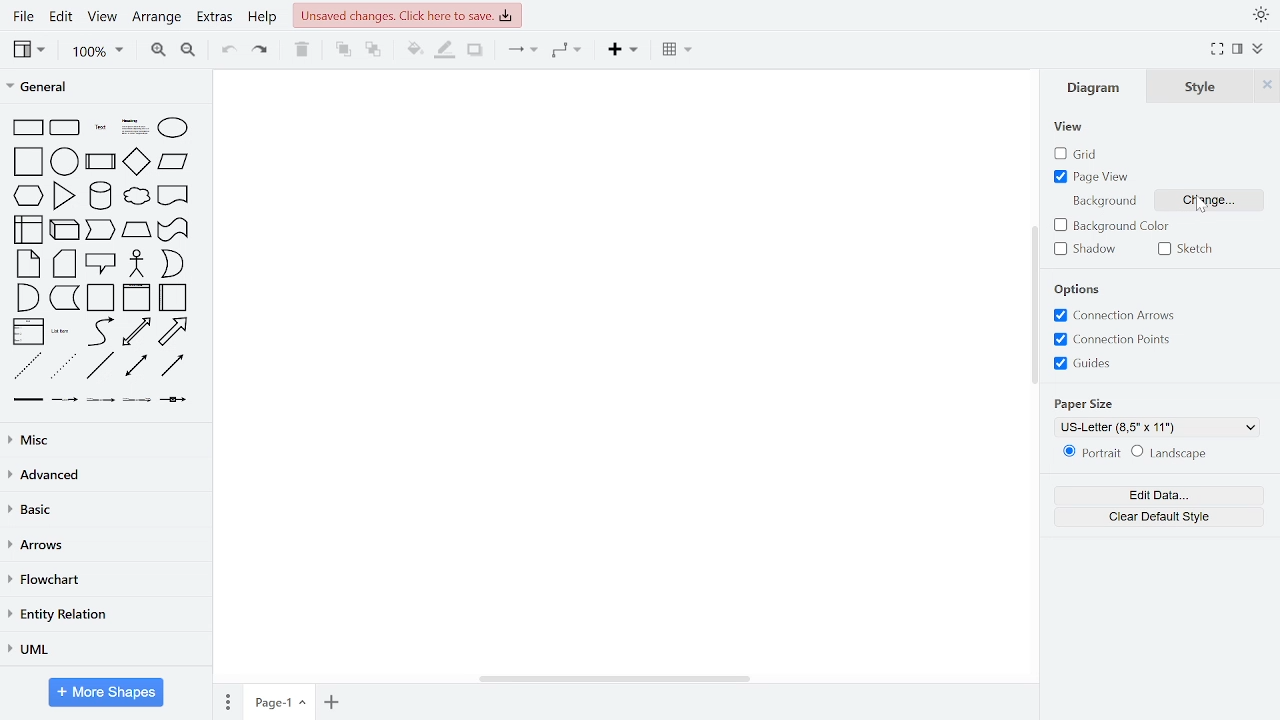  Describe the element at coordinates (99, 229) in the screenshot. I see `general shapes` at that location.